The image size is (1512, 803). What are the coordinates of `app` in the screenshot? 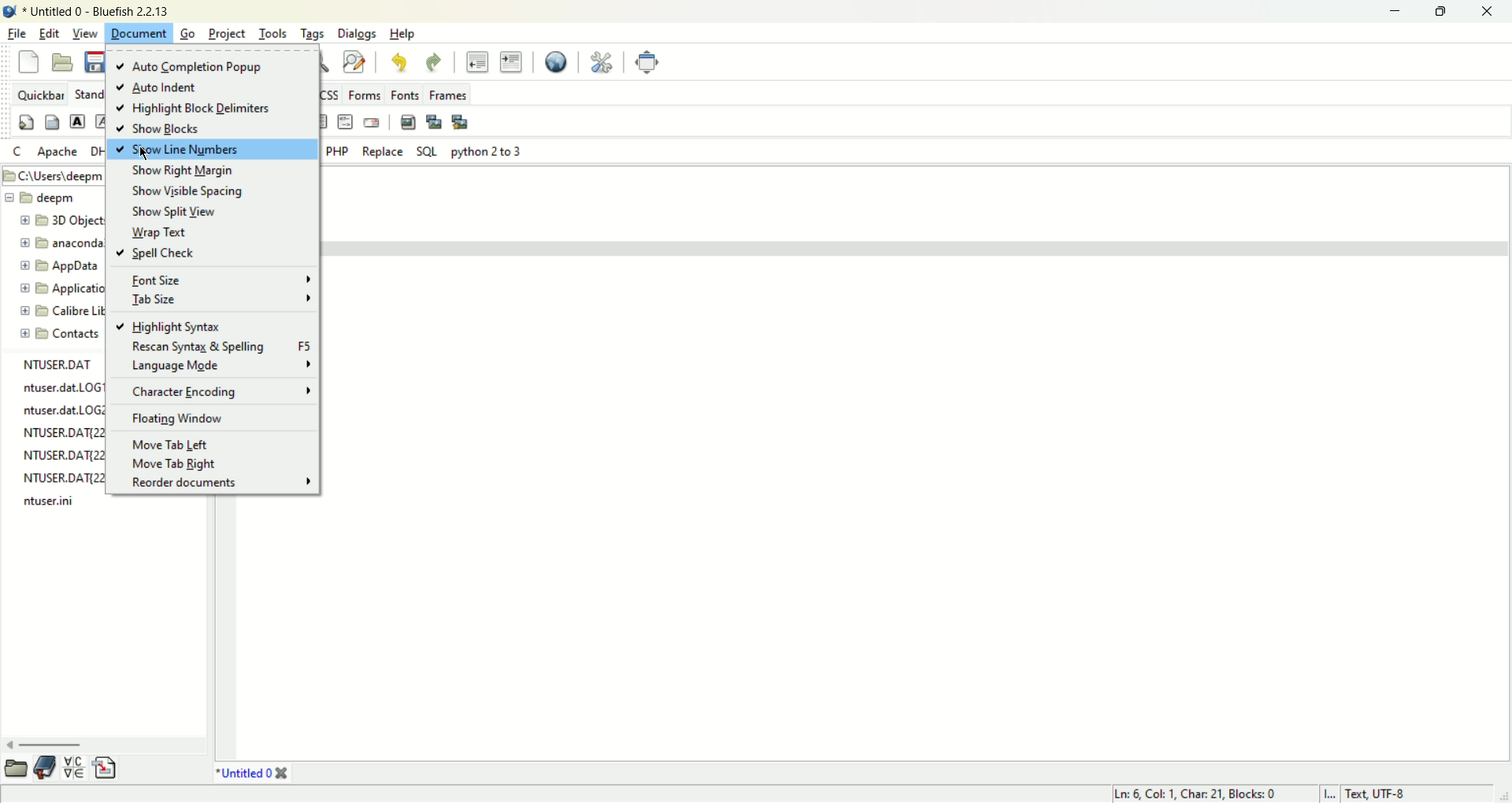 It's located at (60, 266).